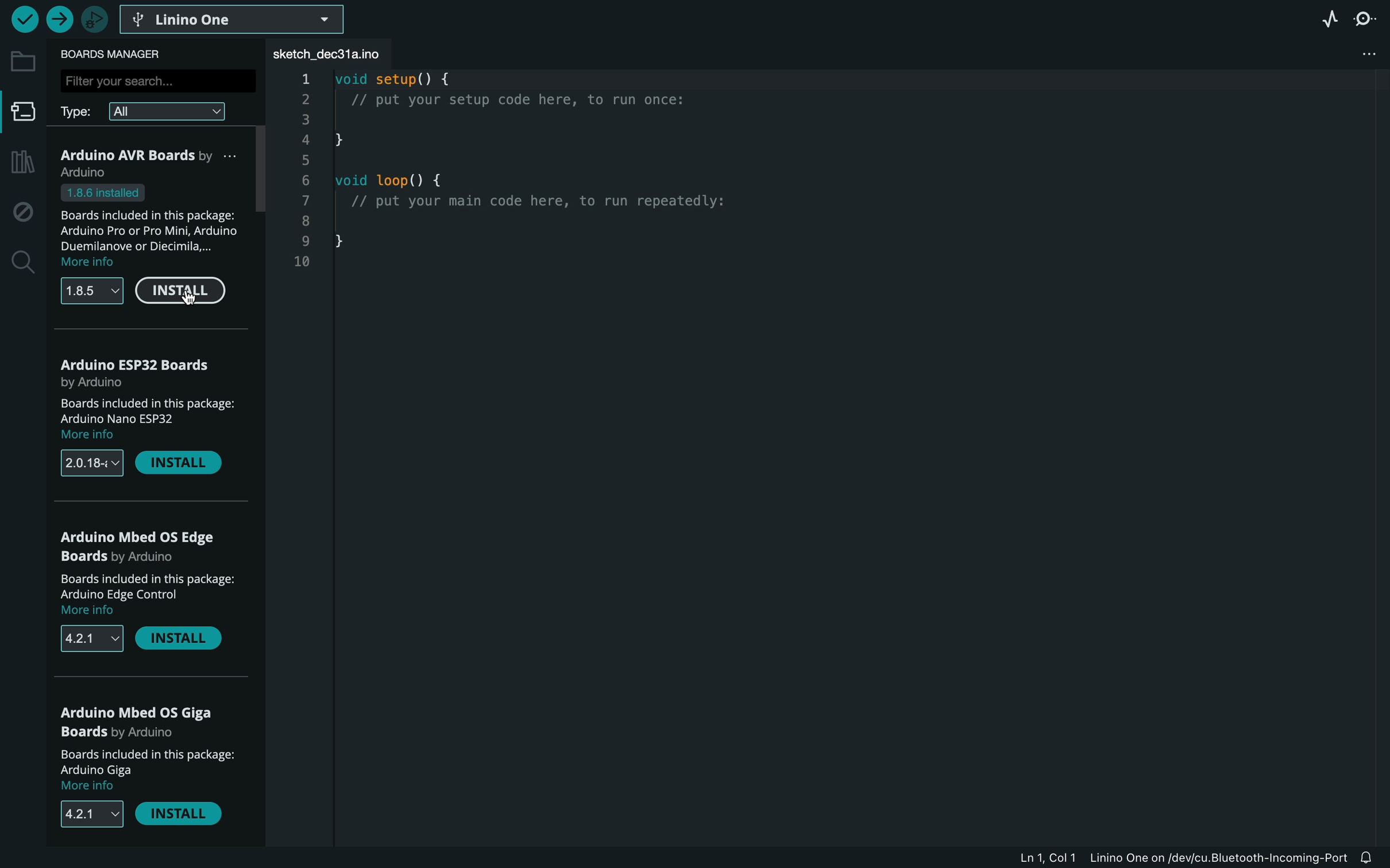  I want to click on versions, so click(92, 464).